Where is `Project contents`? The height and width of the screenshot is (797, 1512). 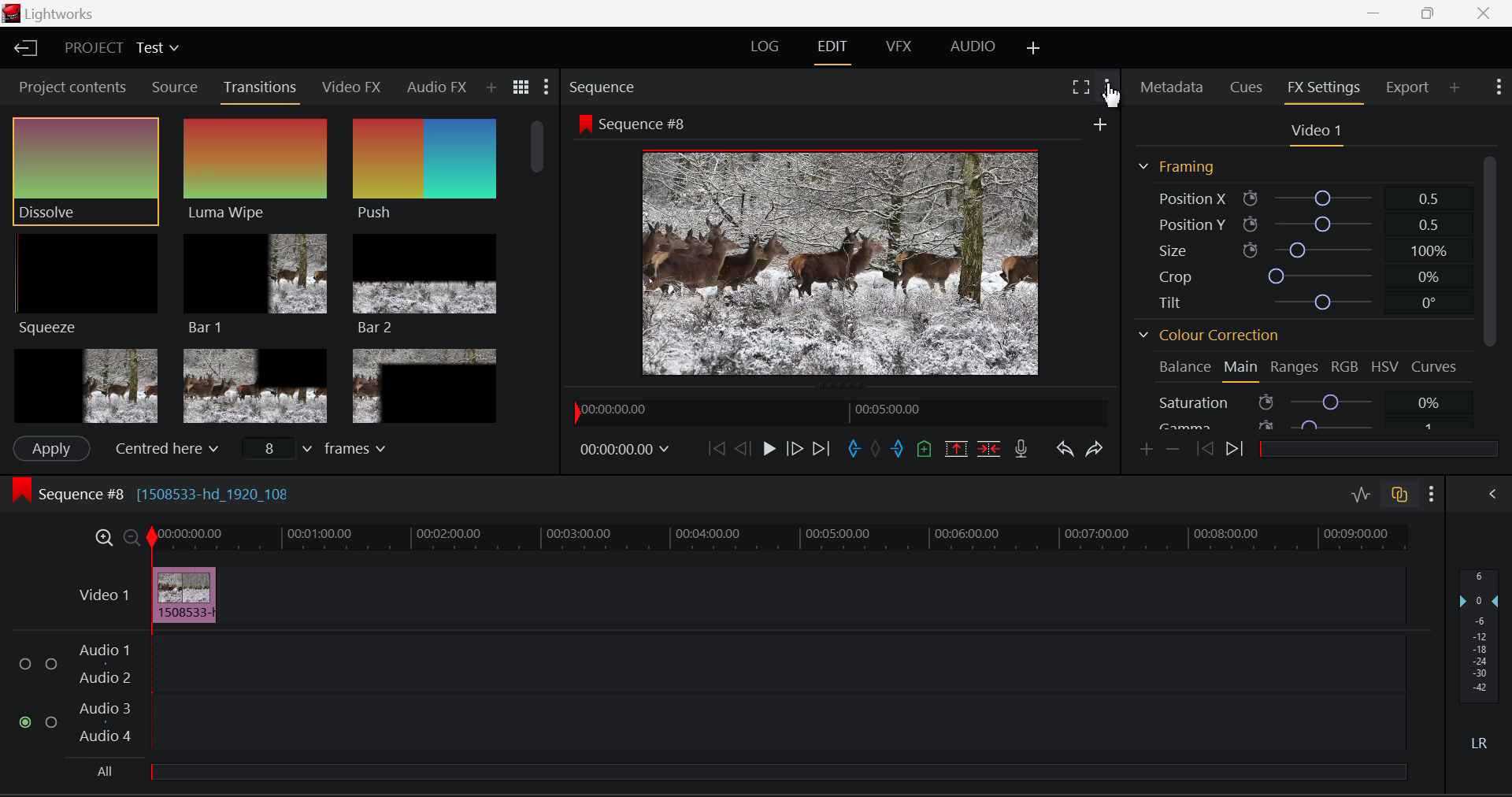
Project contents is located at coordinates (72, 86).